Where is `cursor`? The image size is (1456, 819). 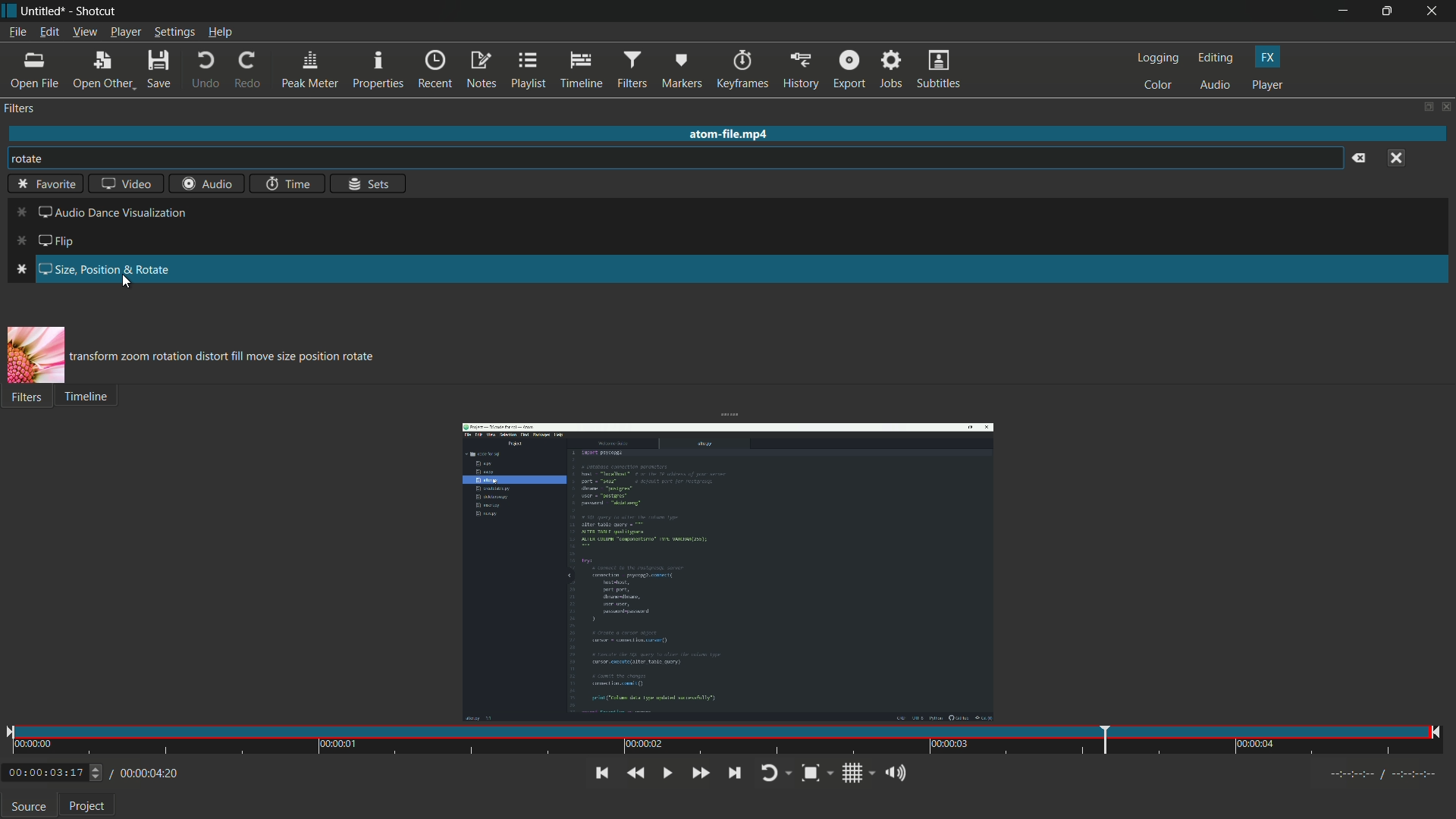
cursor is located at coordinates (20, 369).